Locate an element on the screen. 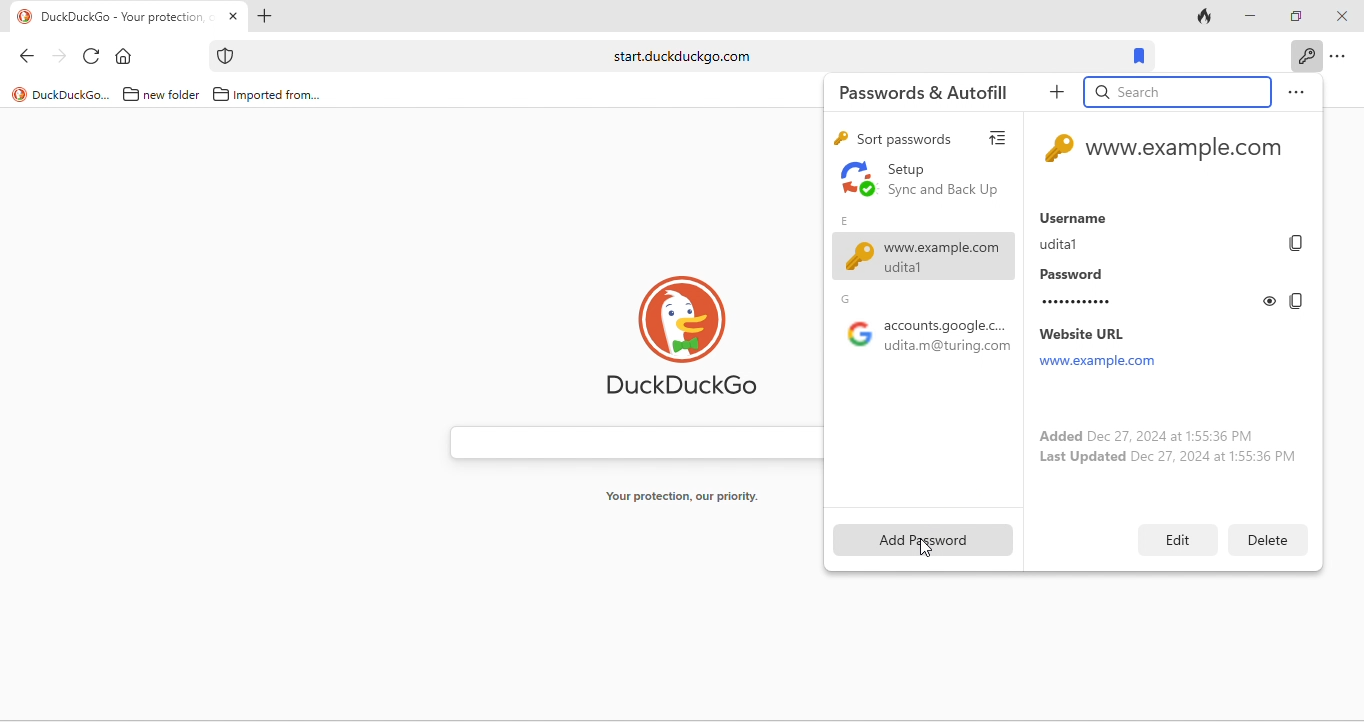 The width and height of the screenshot is (1364, 722). key is located at coordinates (1058, 150).